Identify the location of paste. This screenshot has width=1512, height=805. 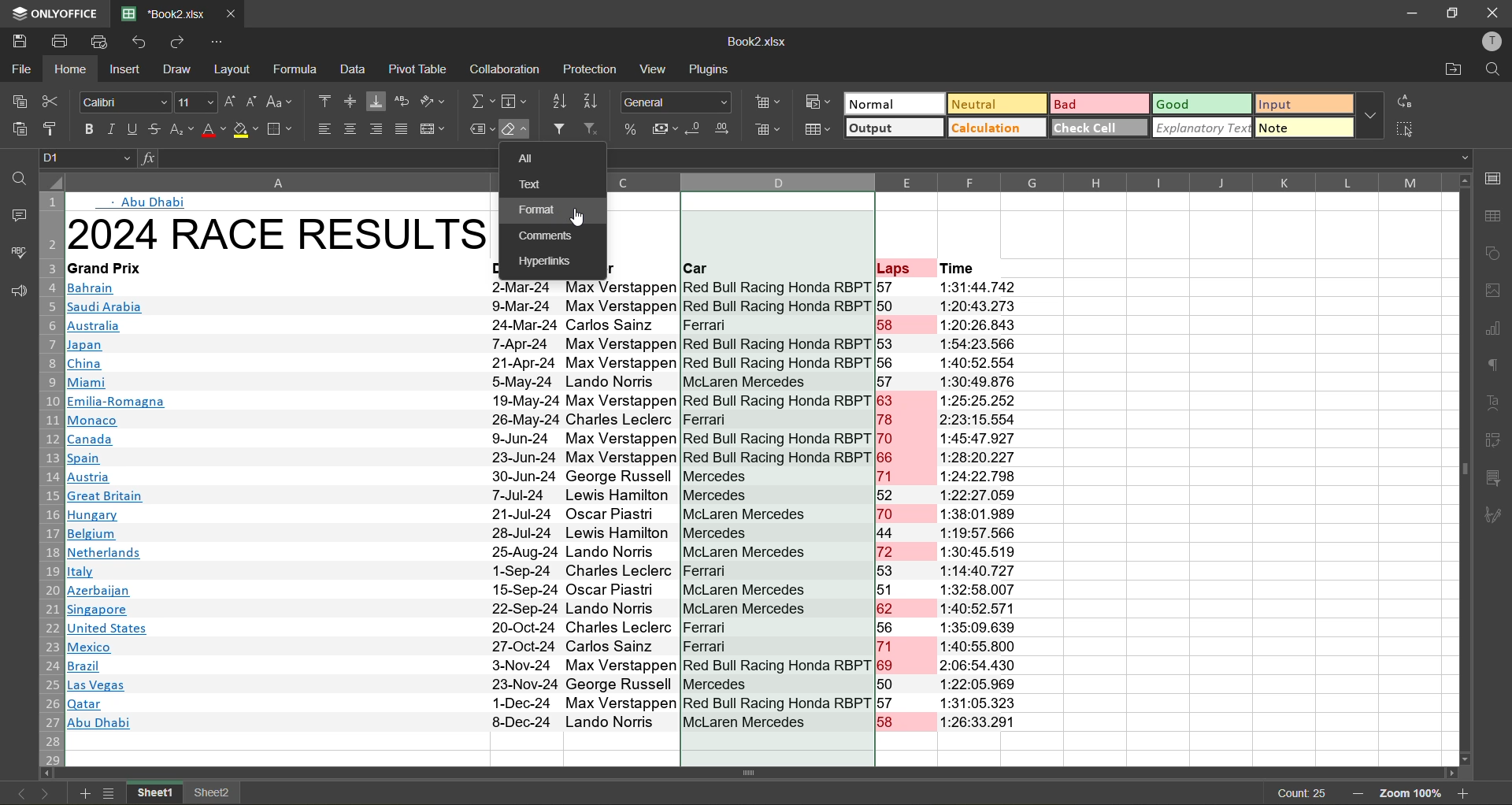
(19, 129).